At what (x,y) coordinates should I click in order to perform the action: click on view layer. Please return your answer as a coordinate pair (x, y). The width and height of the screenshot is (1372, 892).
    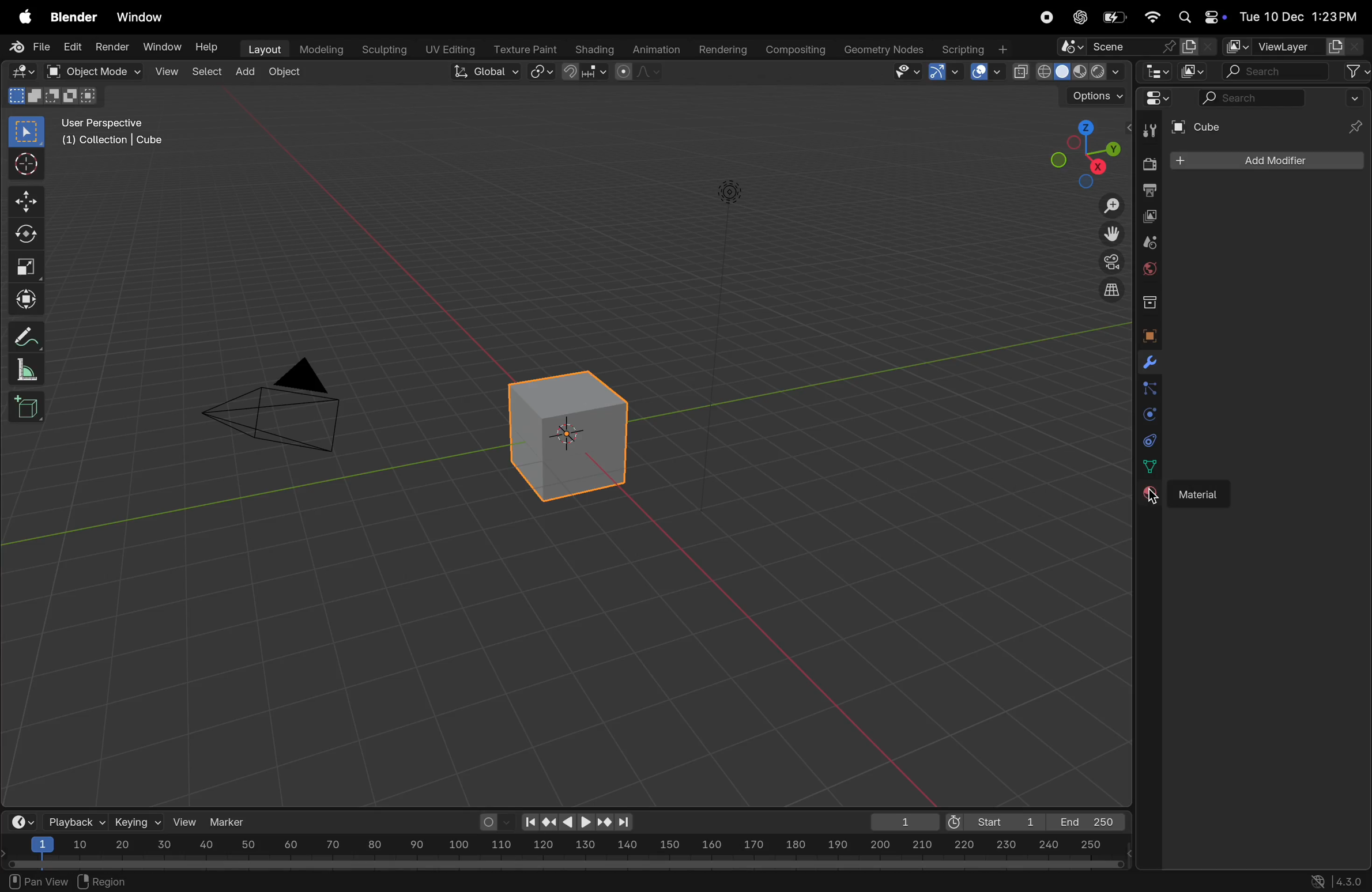
    Looking at the image, I should click on (1151, 217).